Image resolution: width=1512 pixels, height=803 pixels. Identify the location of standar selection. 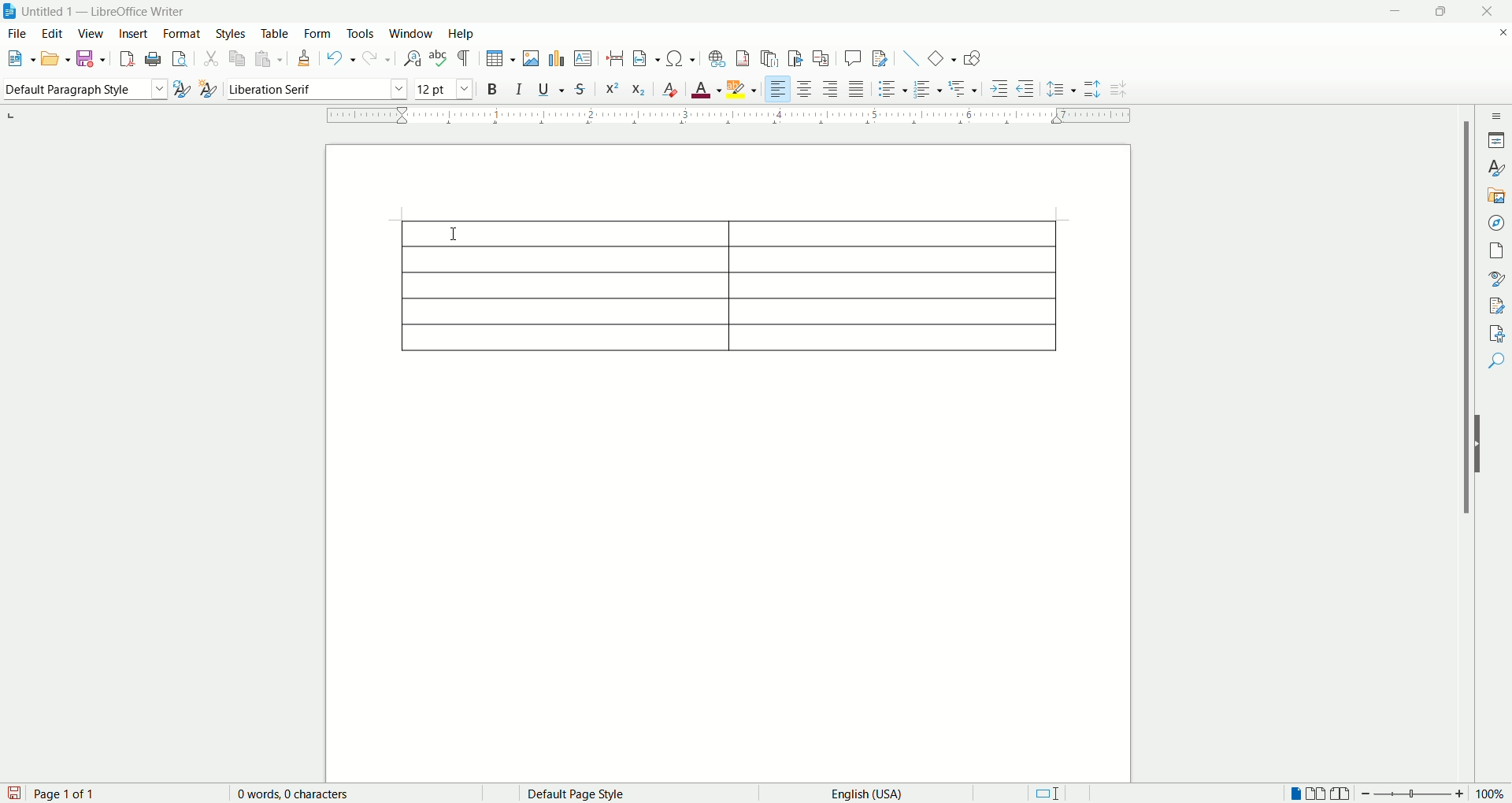
(1051, 794).